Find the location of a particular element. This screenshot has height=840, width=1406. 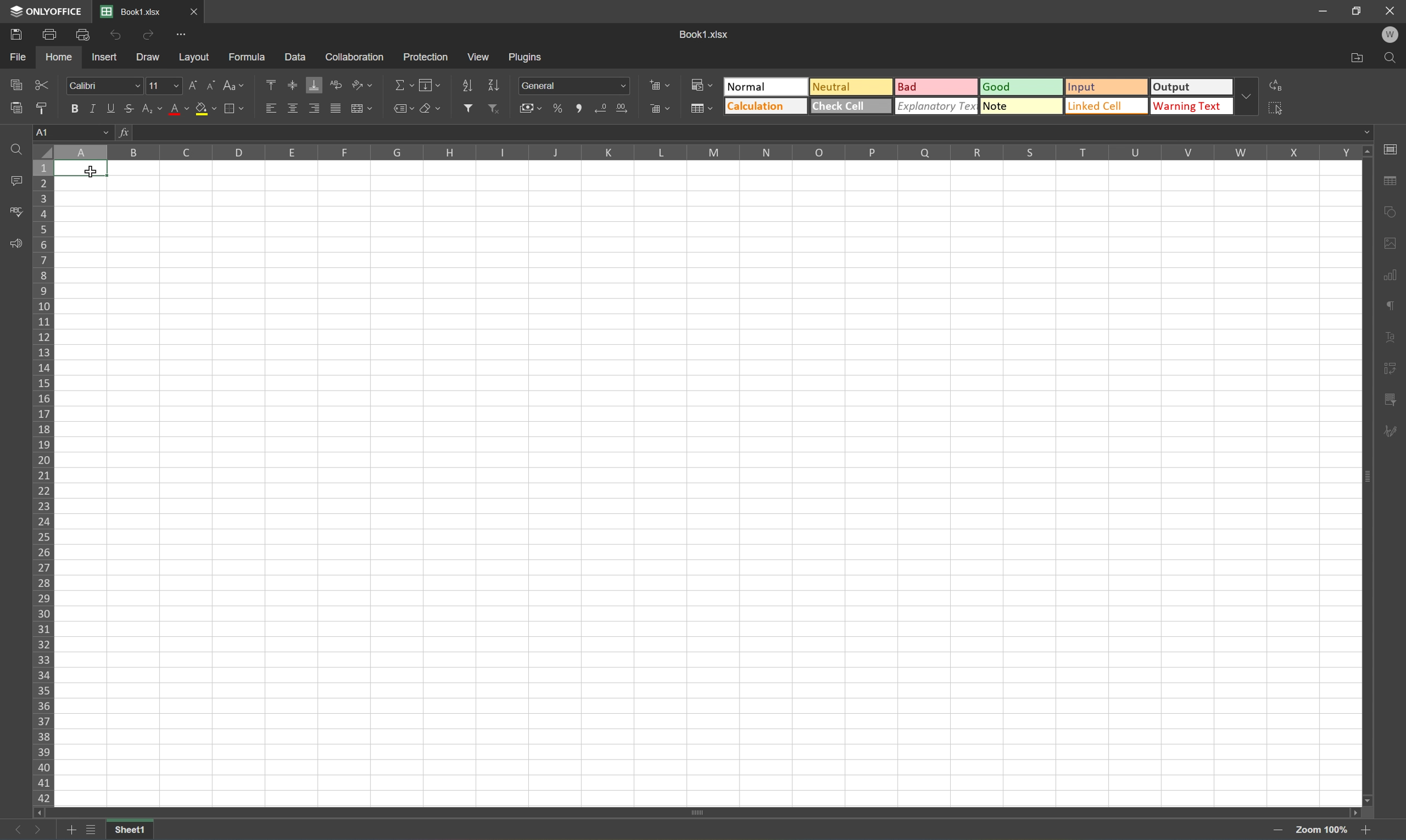

Align middle is located at coordinates (293, 110).